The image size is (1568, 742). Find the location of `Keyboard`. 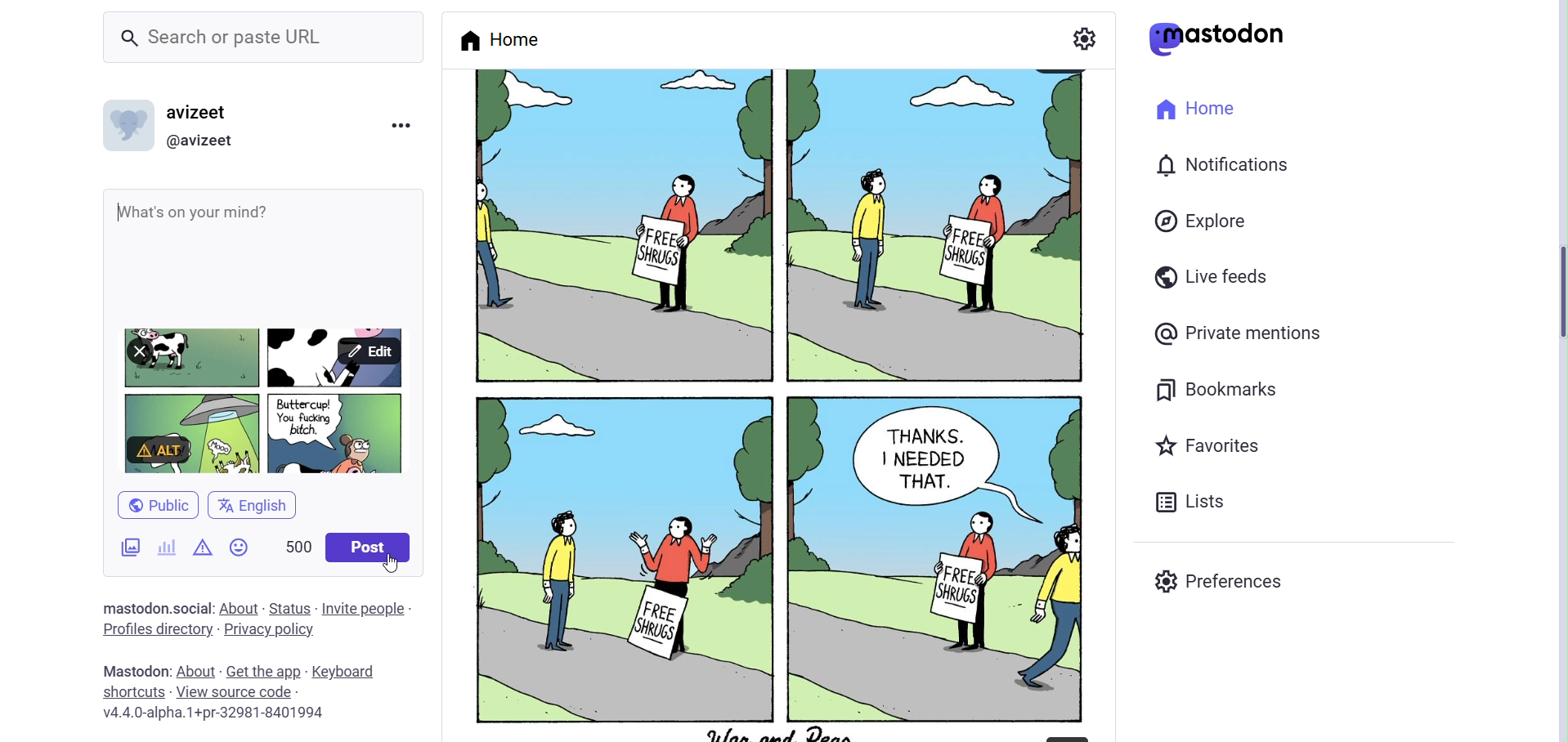

Keyboard is located at coordinates (343, 673).